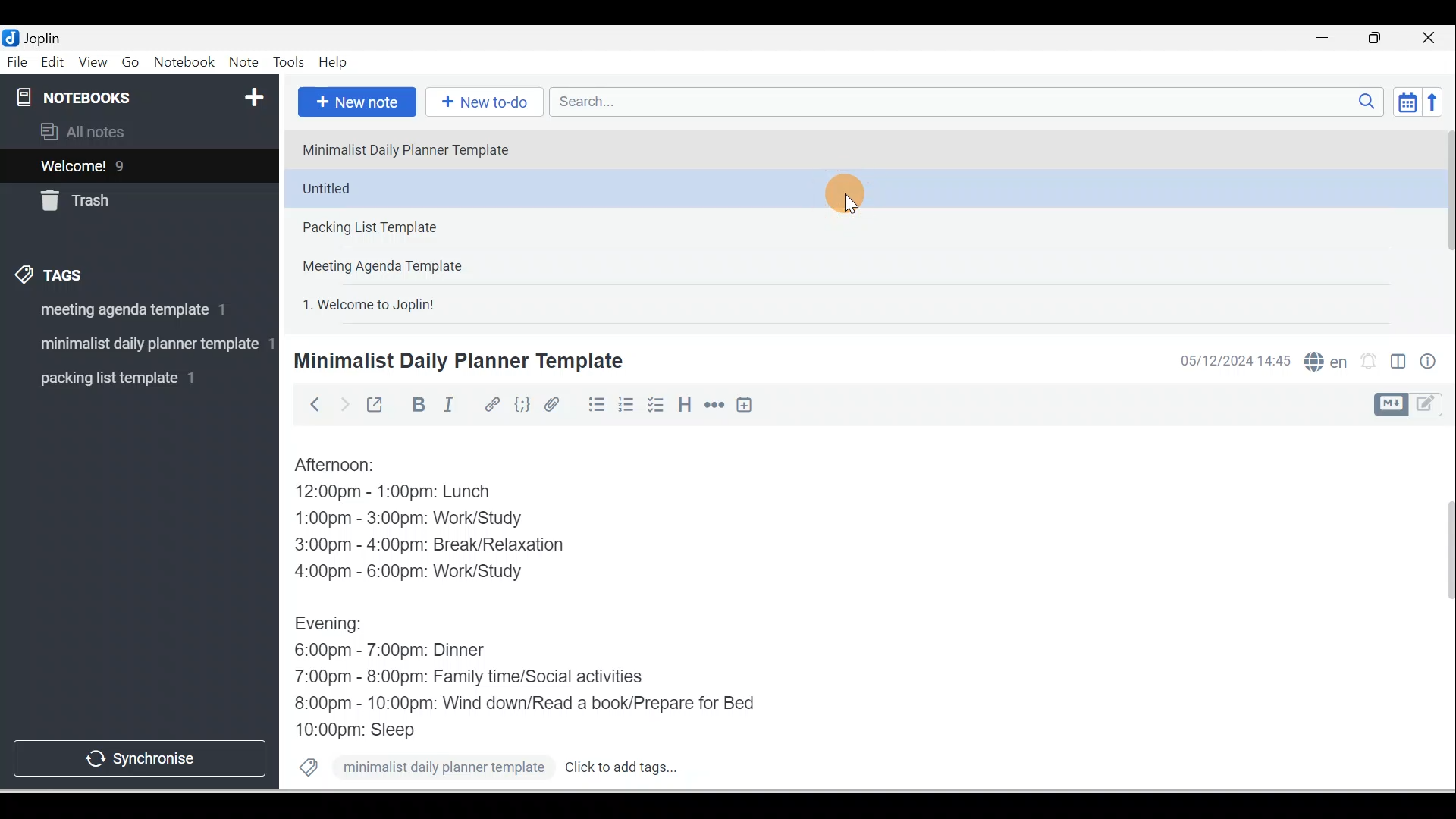 Image resolution: width=1456 pixels, height=819 pixels. I want to click on Maximise, so click(1380, 39).